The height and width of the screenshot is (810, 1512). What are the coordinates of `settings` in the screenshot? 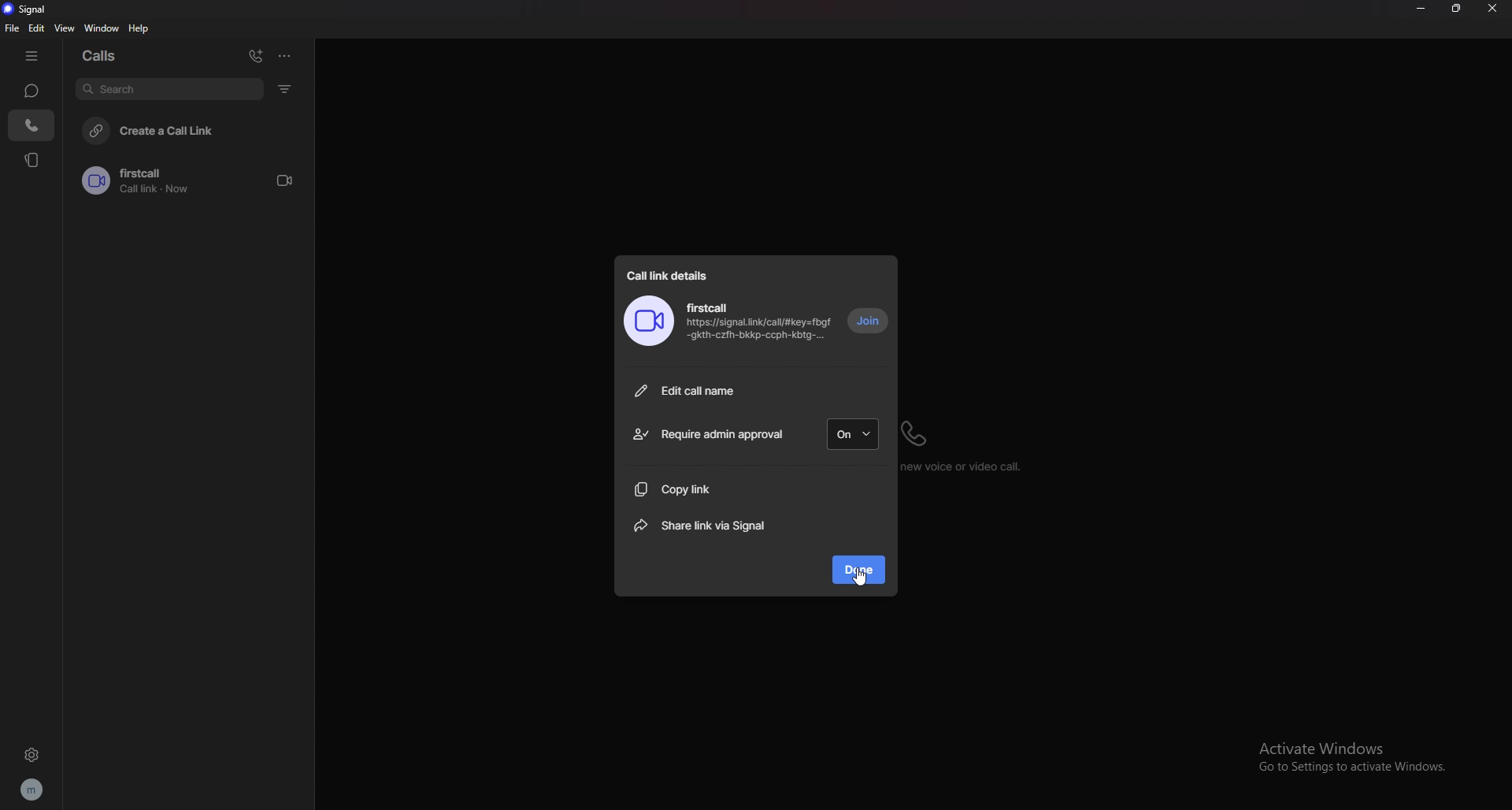 It's located at (31, 754).